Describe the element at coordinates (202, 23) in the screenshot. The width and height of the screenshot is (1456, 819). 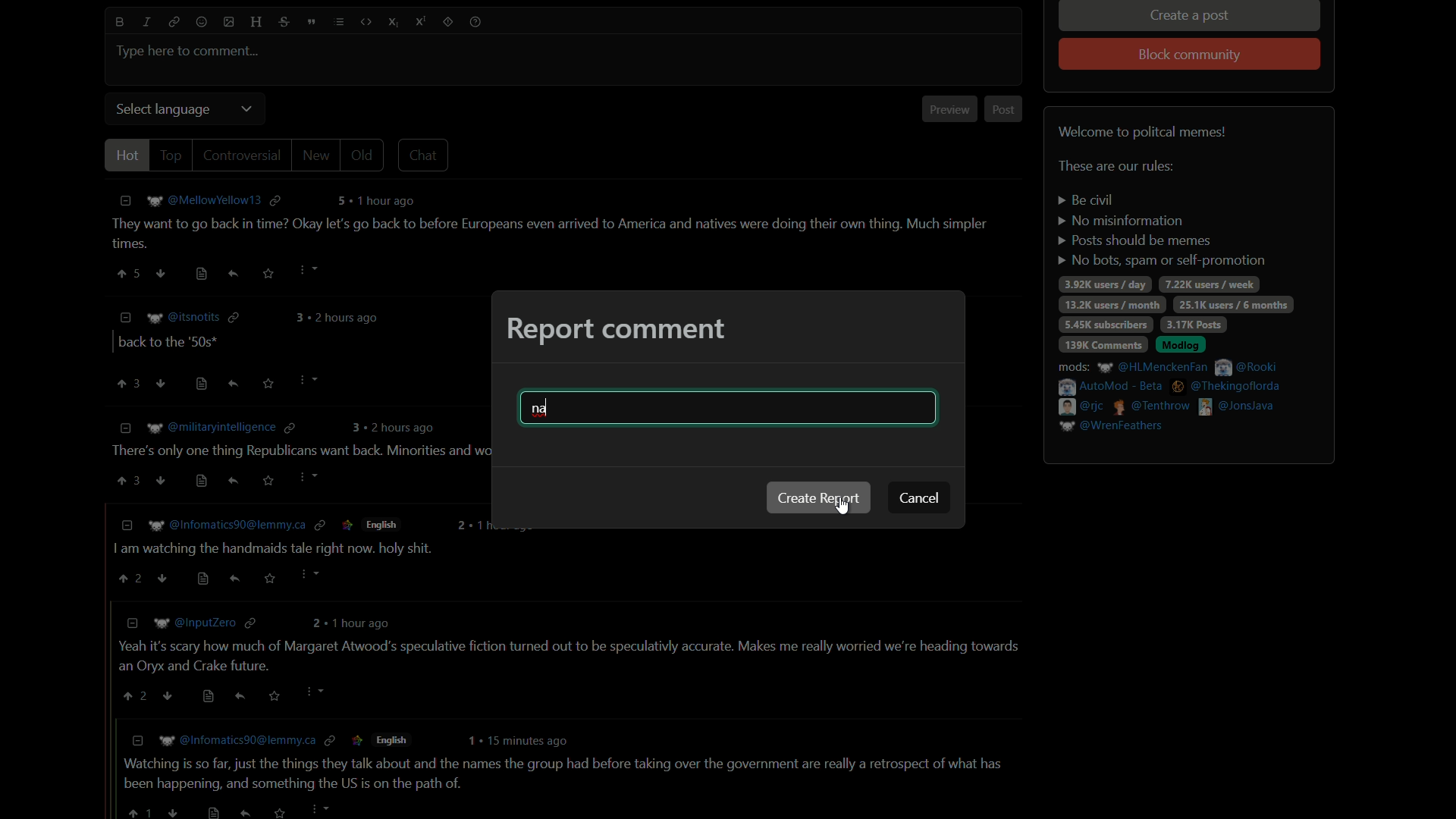
I see `emoji` at that location.